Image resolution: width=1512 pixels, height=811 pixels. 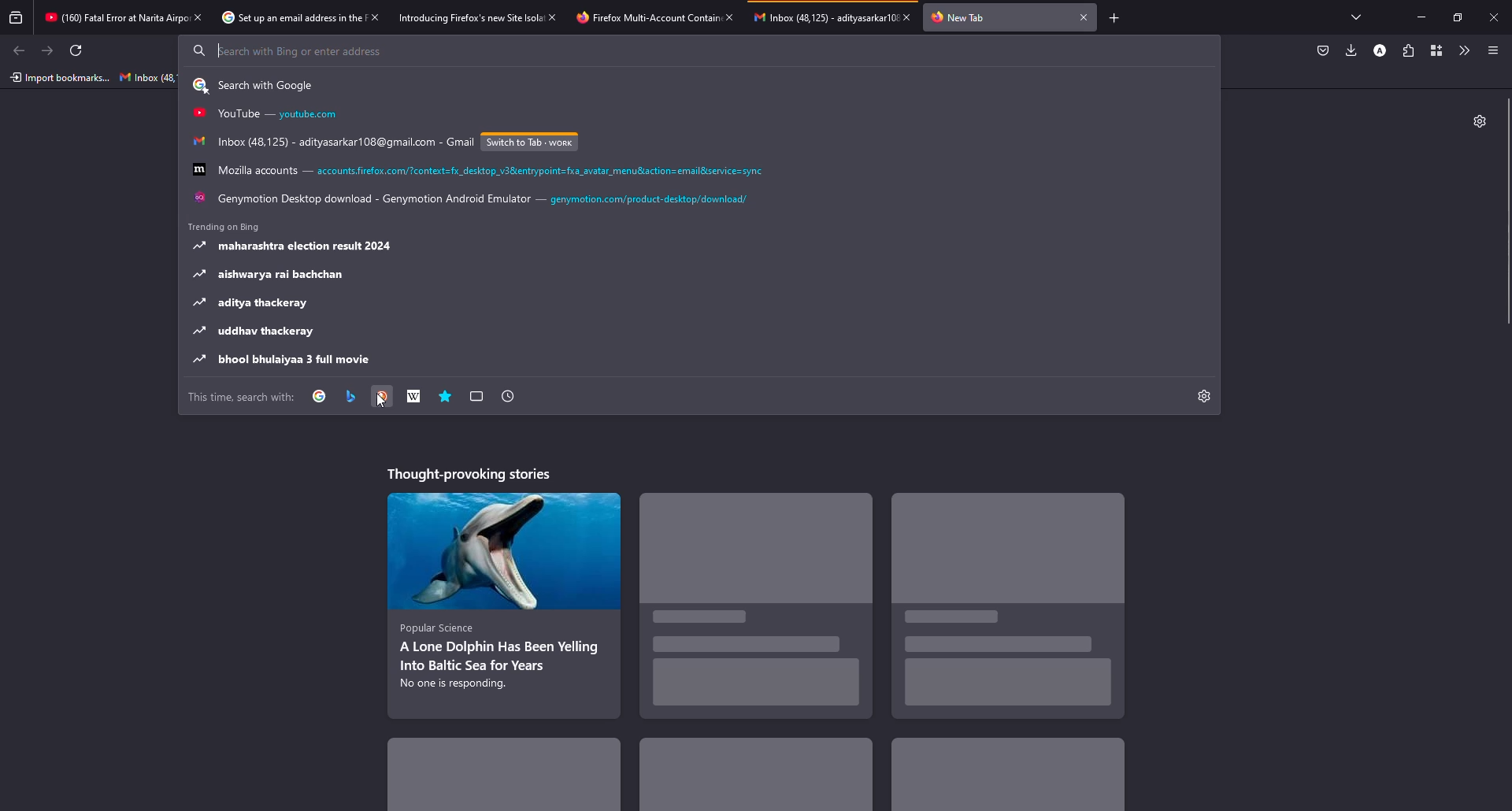 I want to click on stories, so click(x=1004, y=778).